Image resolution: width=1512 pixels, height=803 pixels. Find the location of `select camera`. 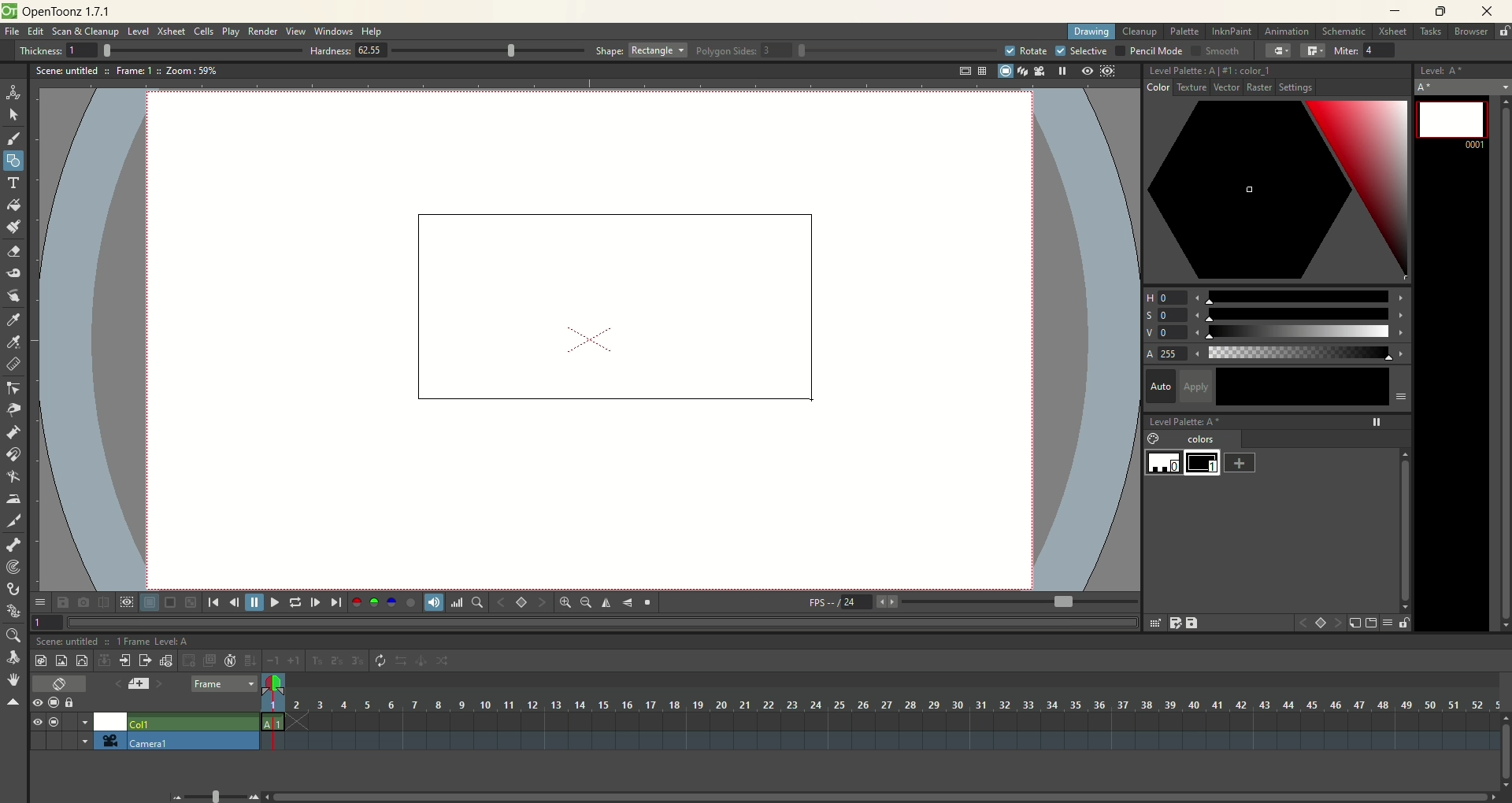

select camera is located at coordinates (107, 741).